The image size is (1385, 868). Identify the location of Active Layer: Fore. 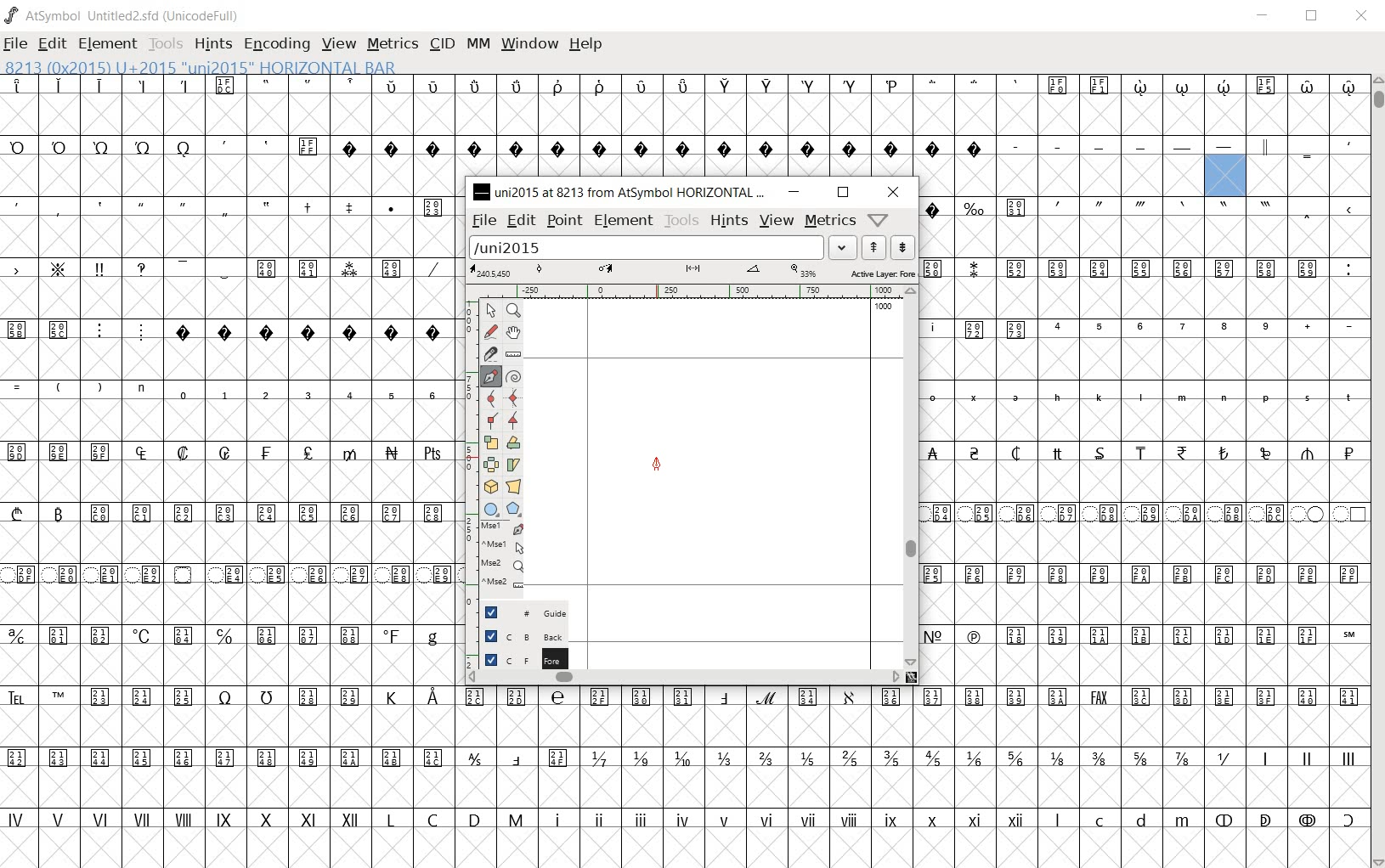
(692, 273).